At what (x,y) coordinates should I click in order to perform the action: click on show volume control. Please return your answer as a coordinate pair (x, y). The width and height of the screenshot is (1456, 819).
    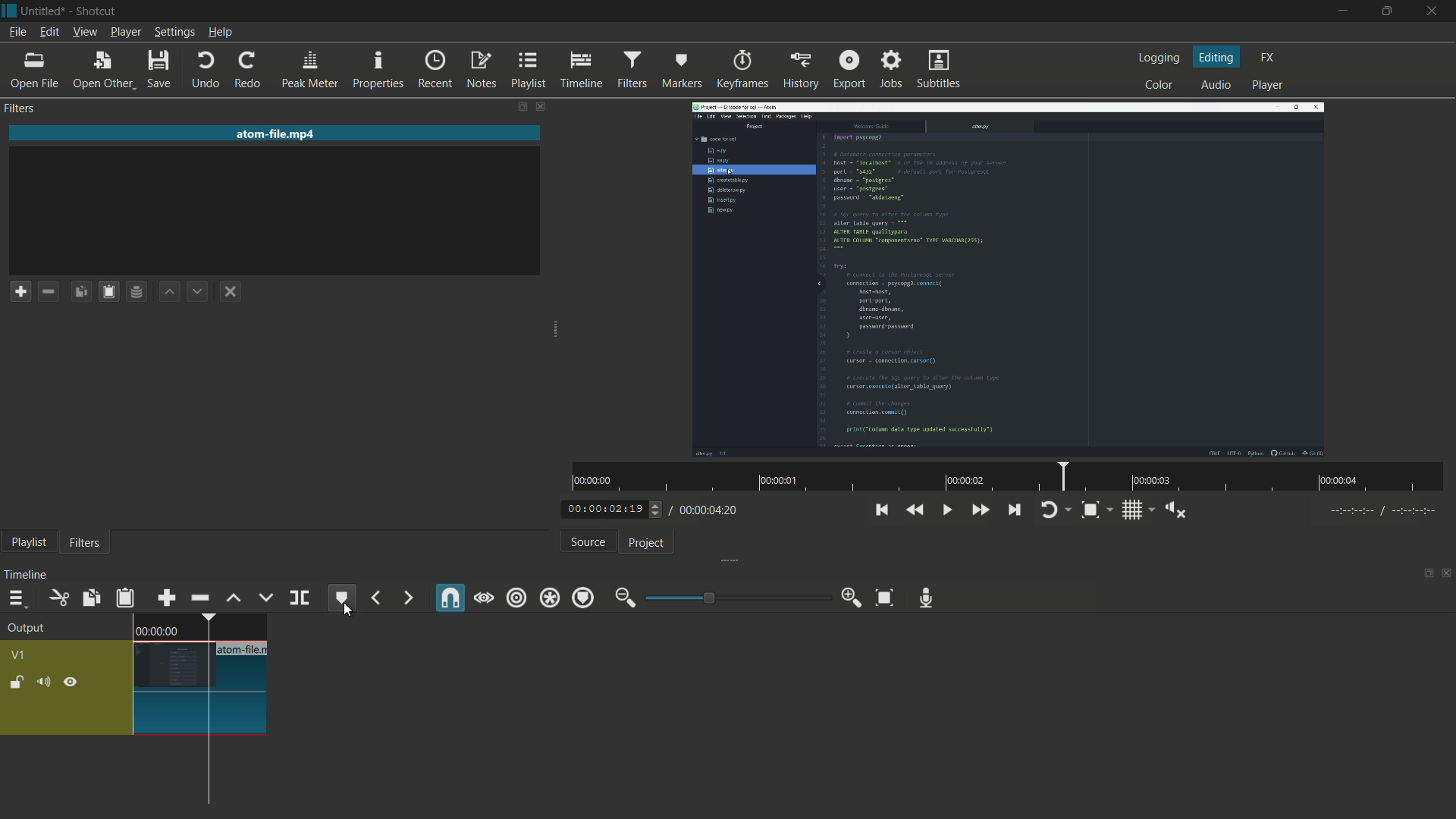
    Looking at the image, I should click on (1178, 510).